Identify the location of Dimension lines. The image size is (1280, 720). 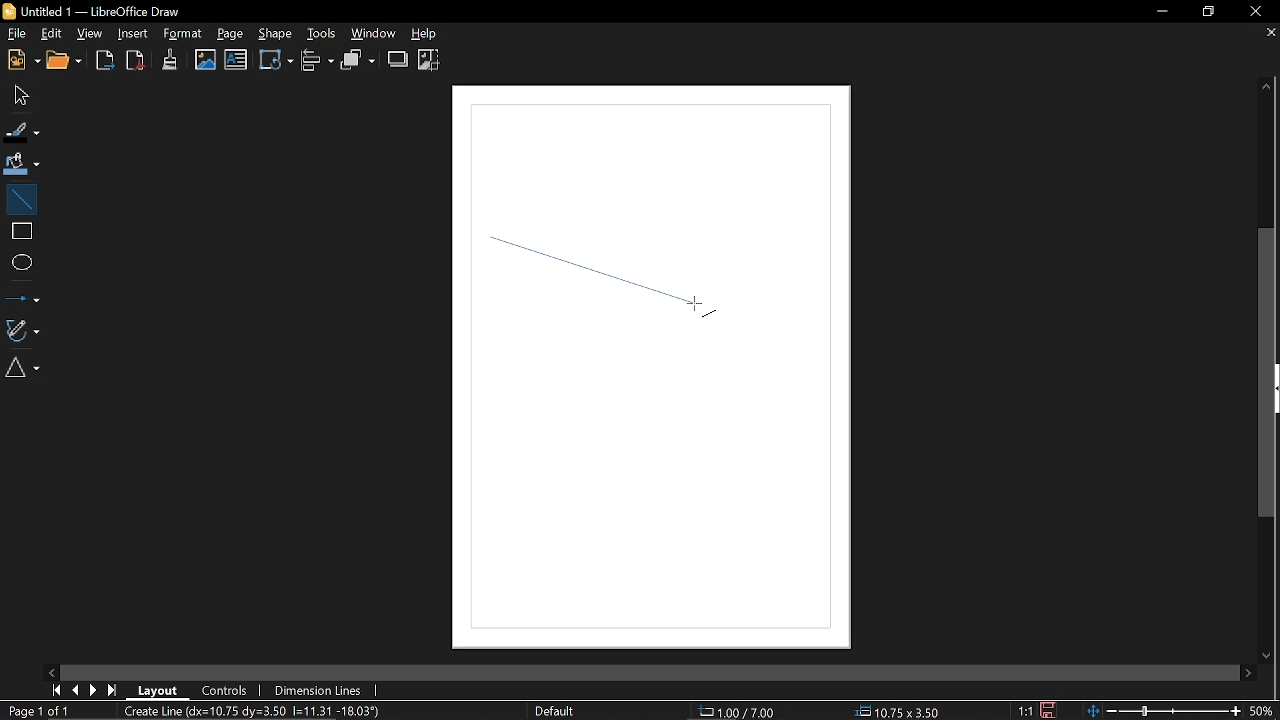
(322, 689).